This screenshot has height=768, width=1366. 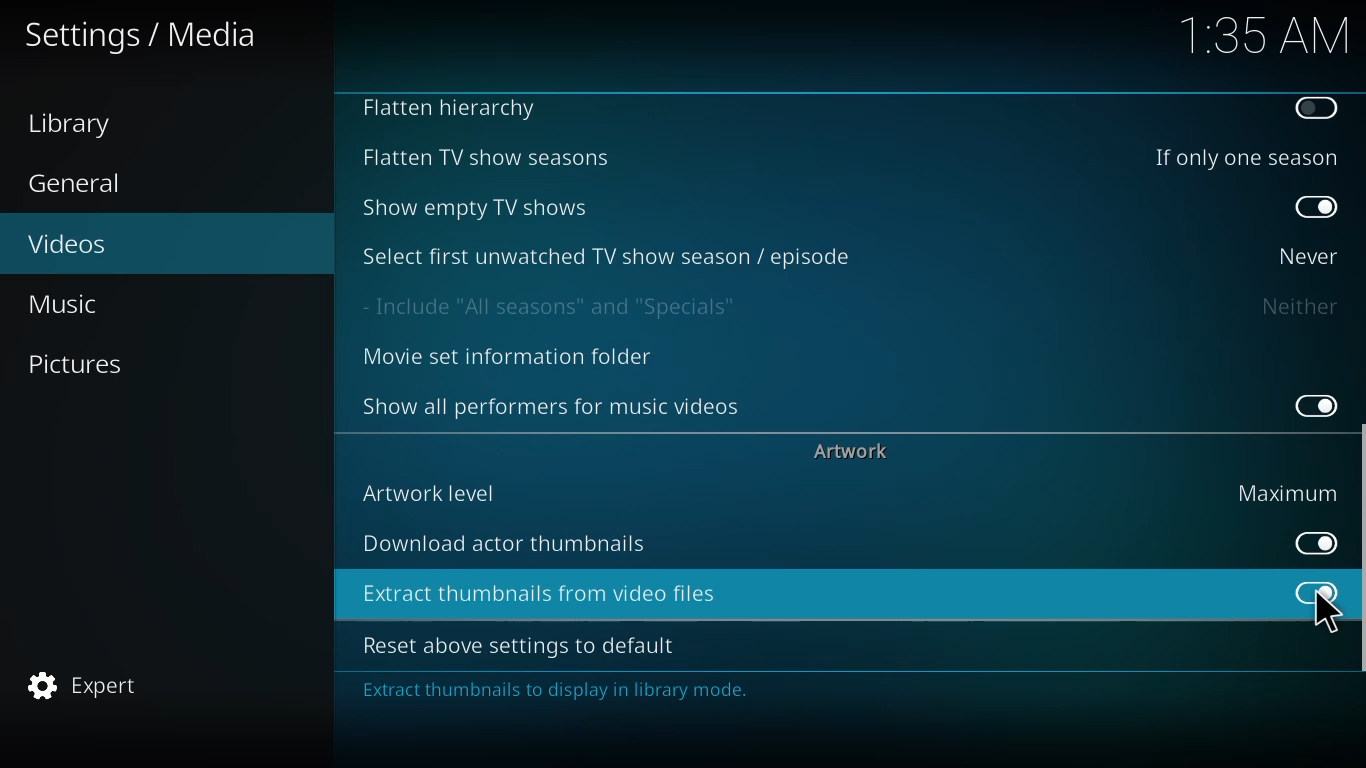 I want to click on movie set info, so click(x=512, y=358).